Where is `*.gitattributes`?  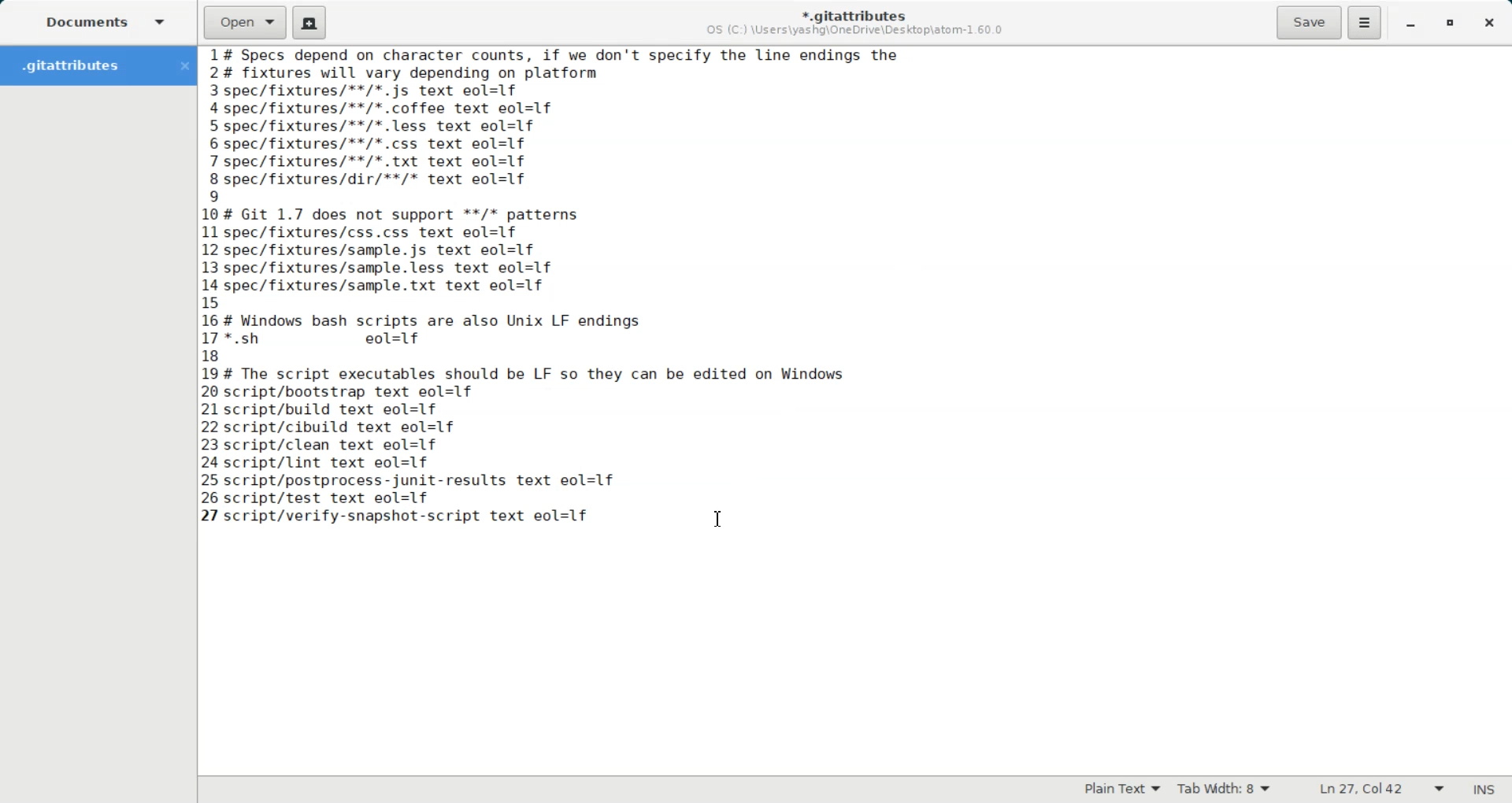
*.gitattributes is located at coordinates (850, 12).